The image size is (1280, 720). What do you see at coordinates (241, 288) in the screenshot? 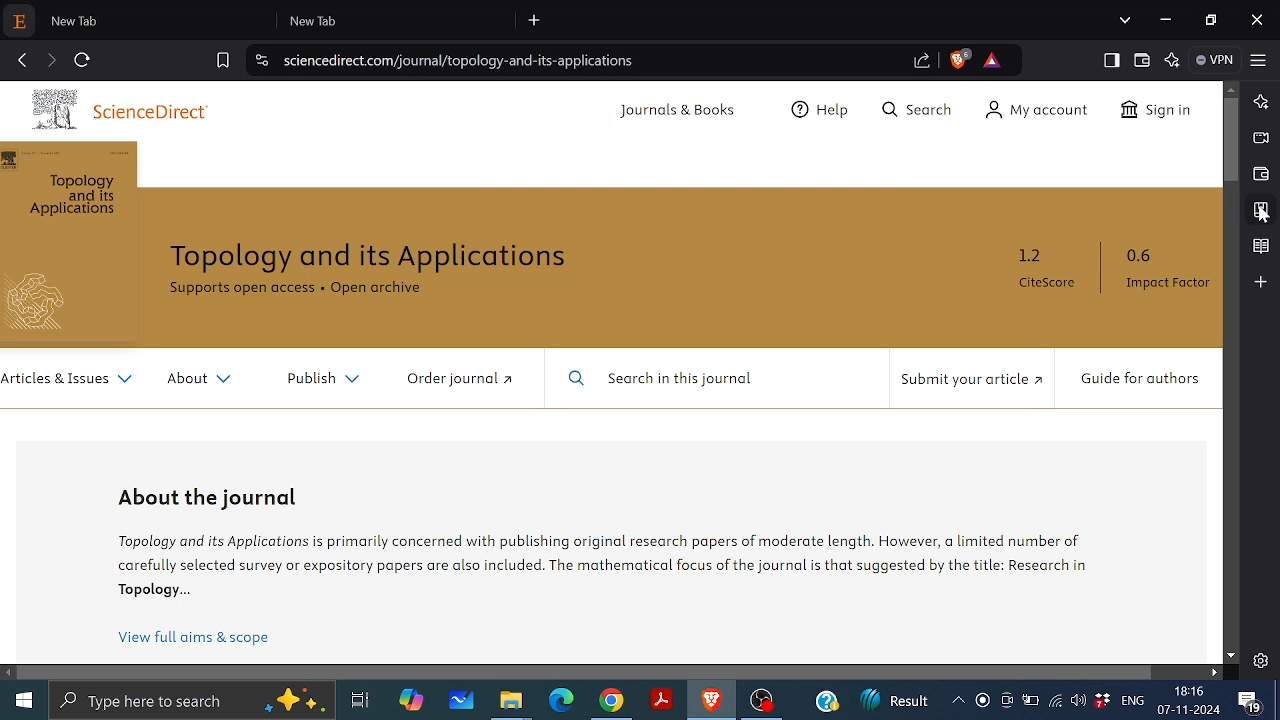
I see `Supports open access` at bounding box center [241, 288].